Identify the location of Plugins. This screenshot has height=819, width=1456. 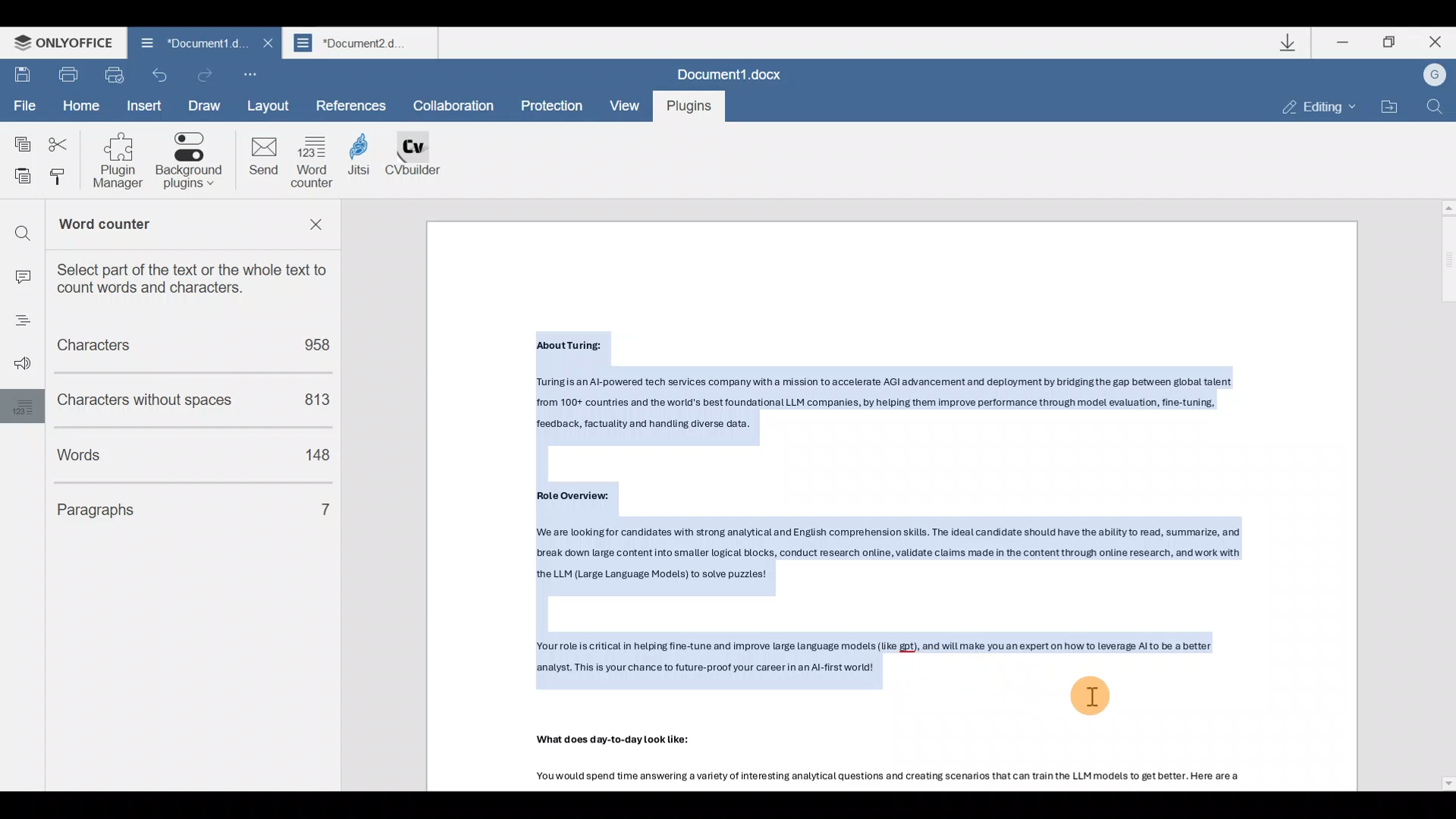
(687, 107).